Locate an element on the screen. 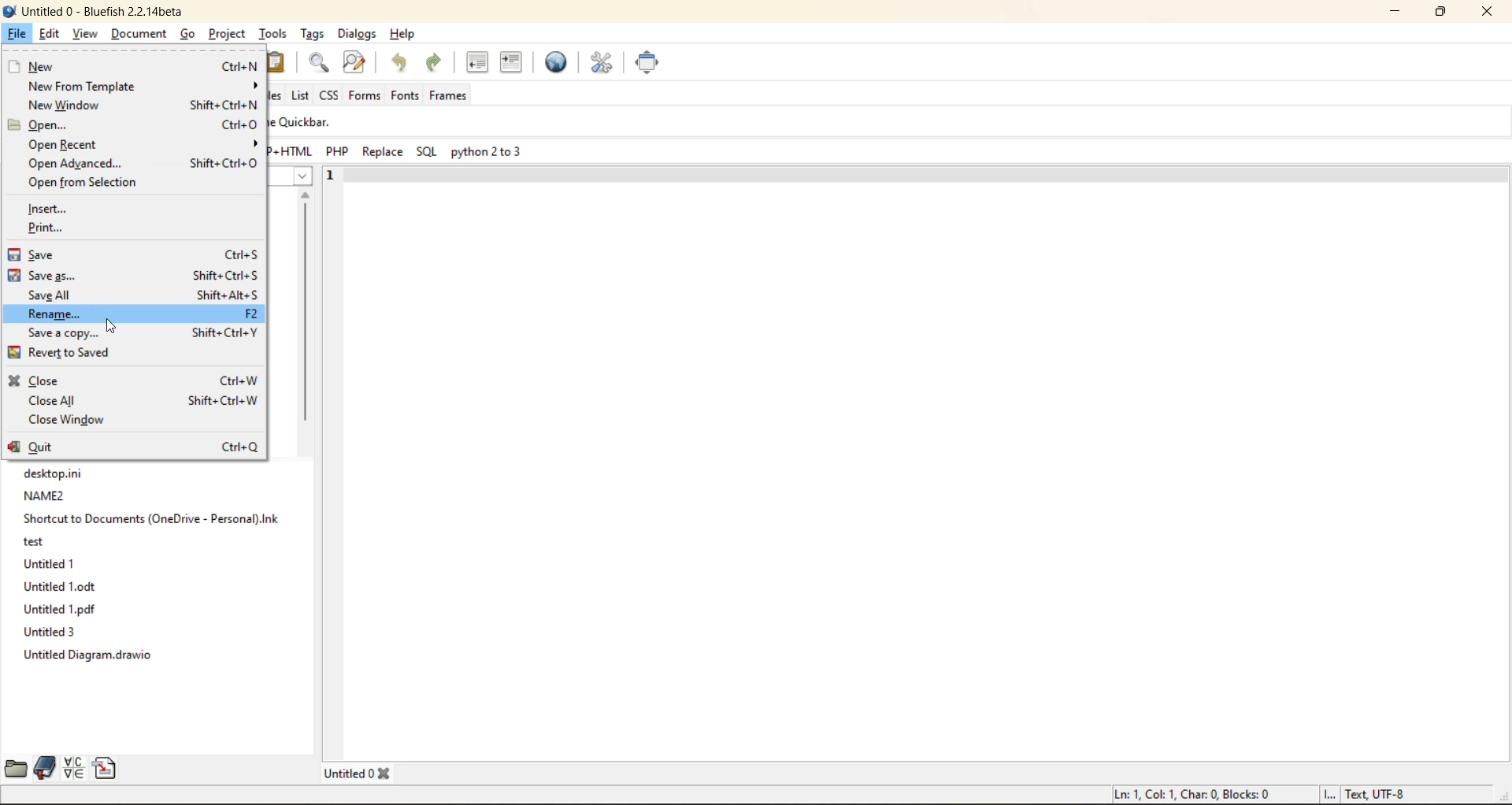  paste is located at coordinates (277, 62).